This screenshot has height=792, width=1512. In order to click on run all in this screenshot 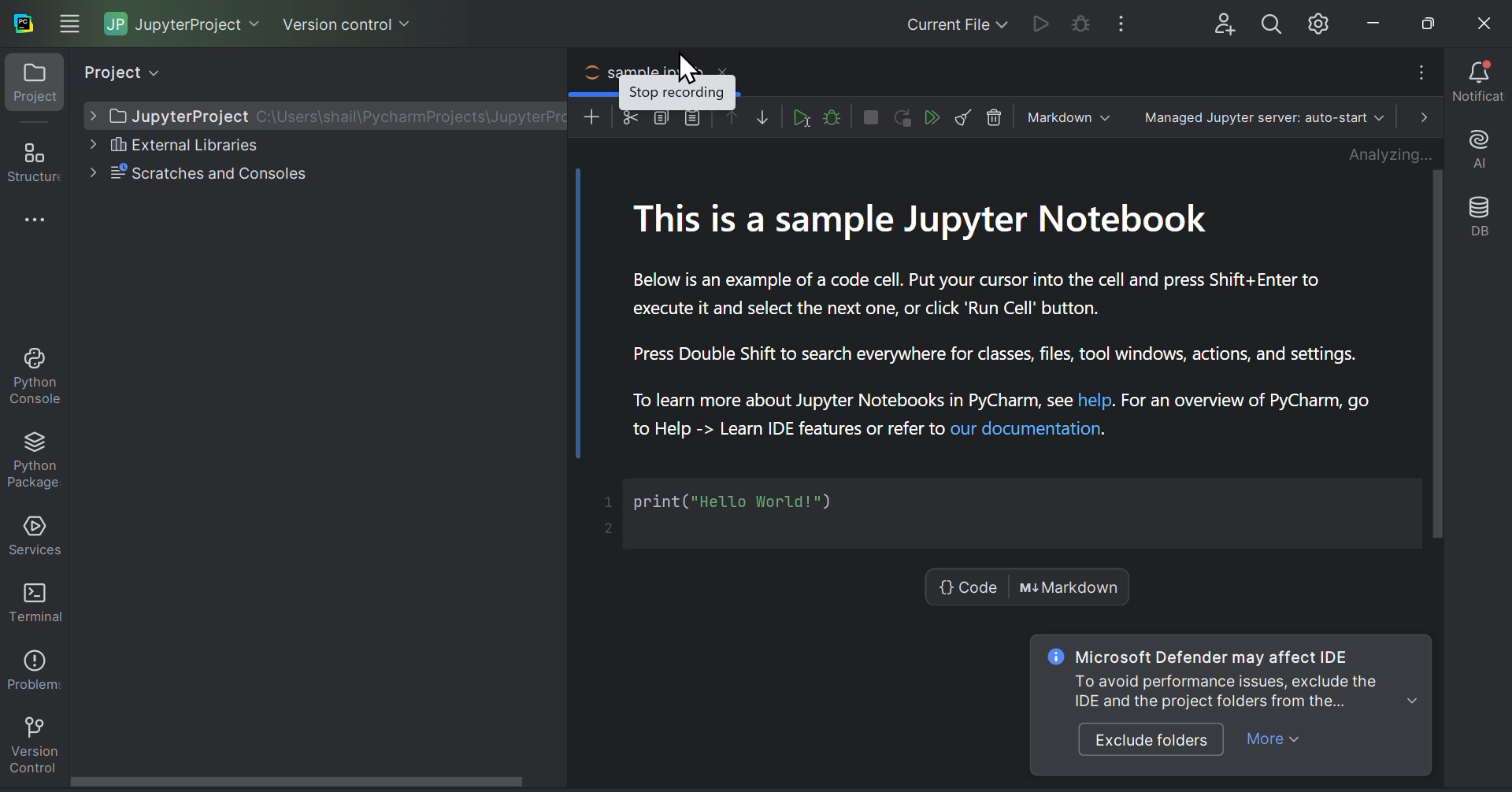, I will do `click(932, 117)`.